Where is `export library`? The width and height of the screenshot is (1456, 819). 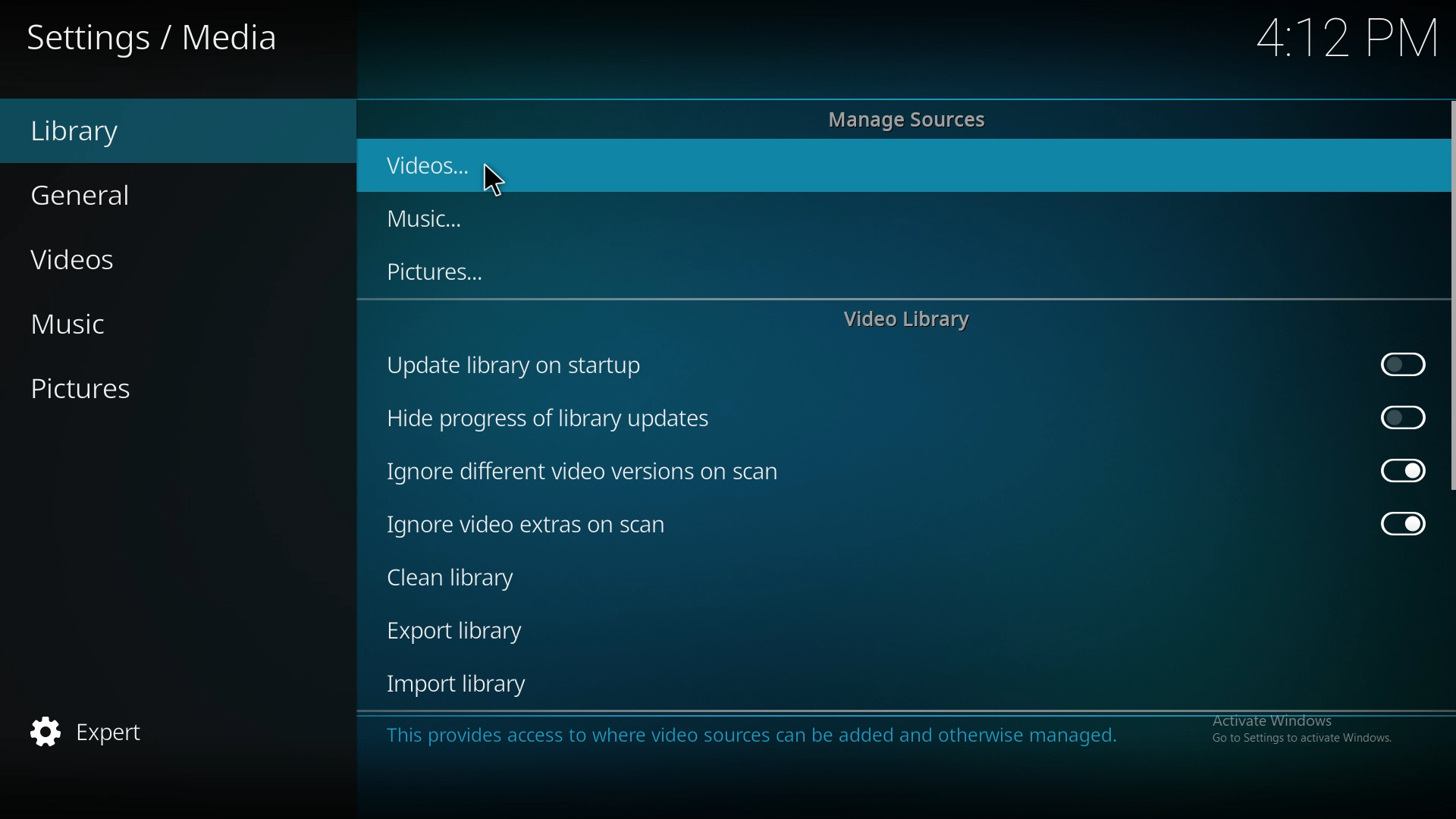 export library is located at coordinates (466, 629).